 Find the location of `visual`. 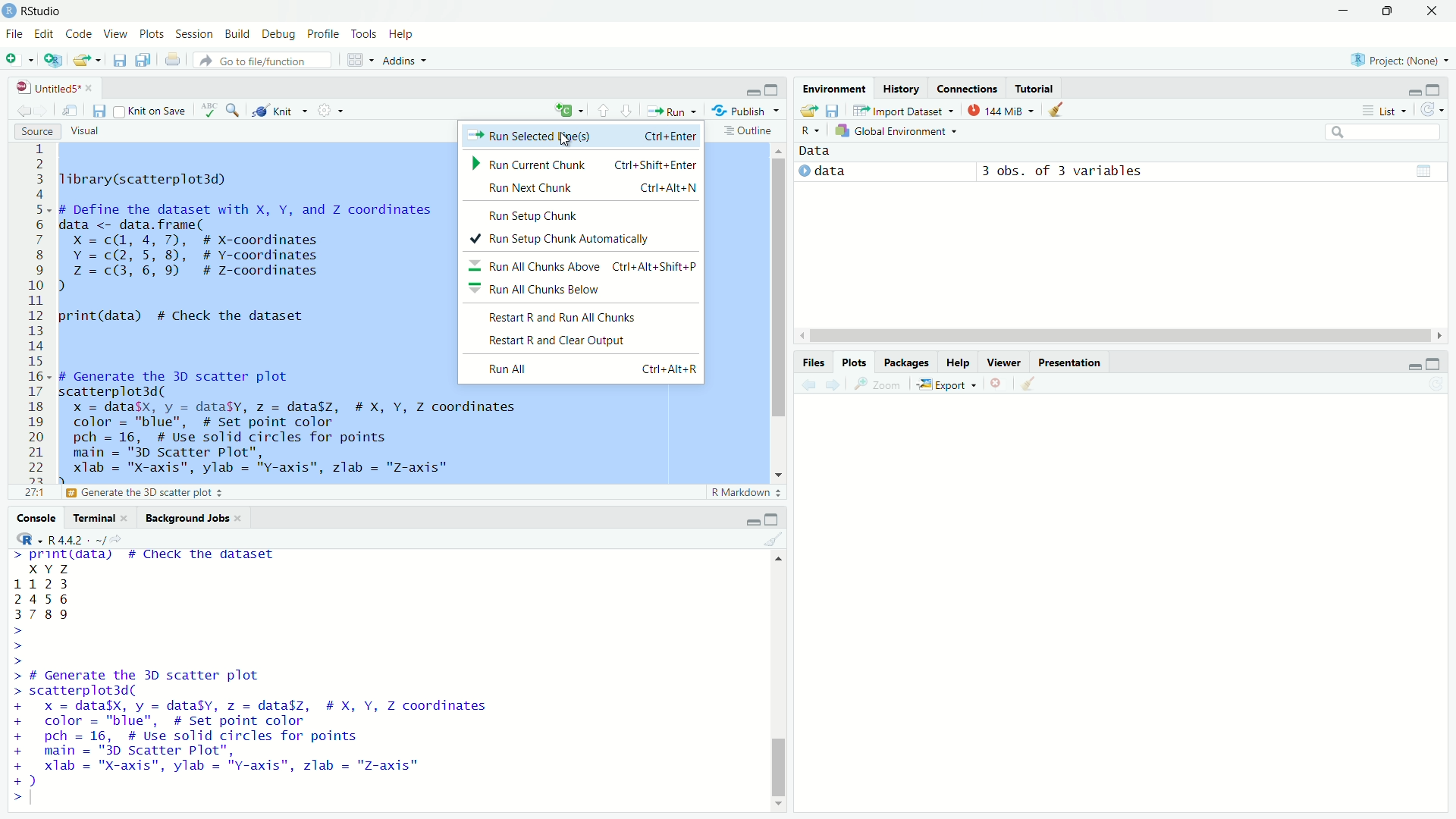

visual is located at coordinates (86, 132).